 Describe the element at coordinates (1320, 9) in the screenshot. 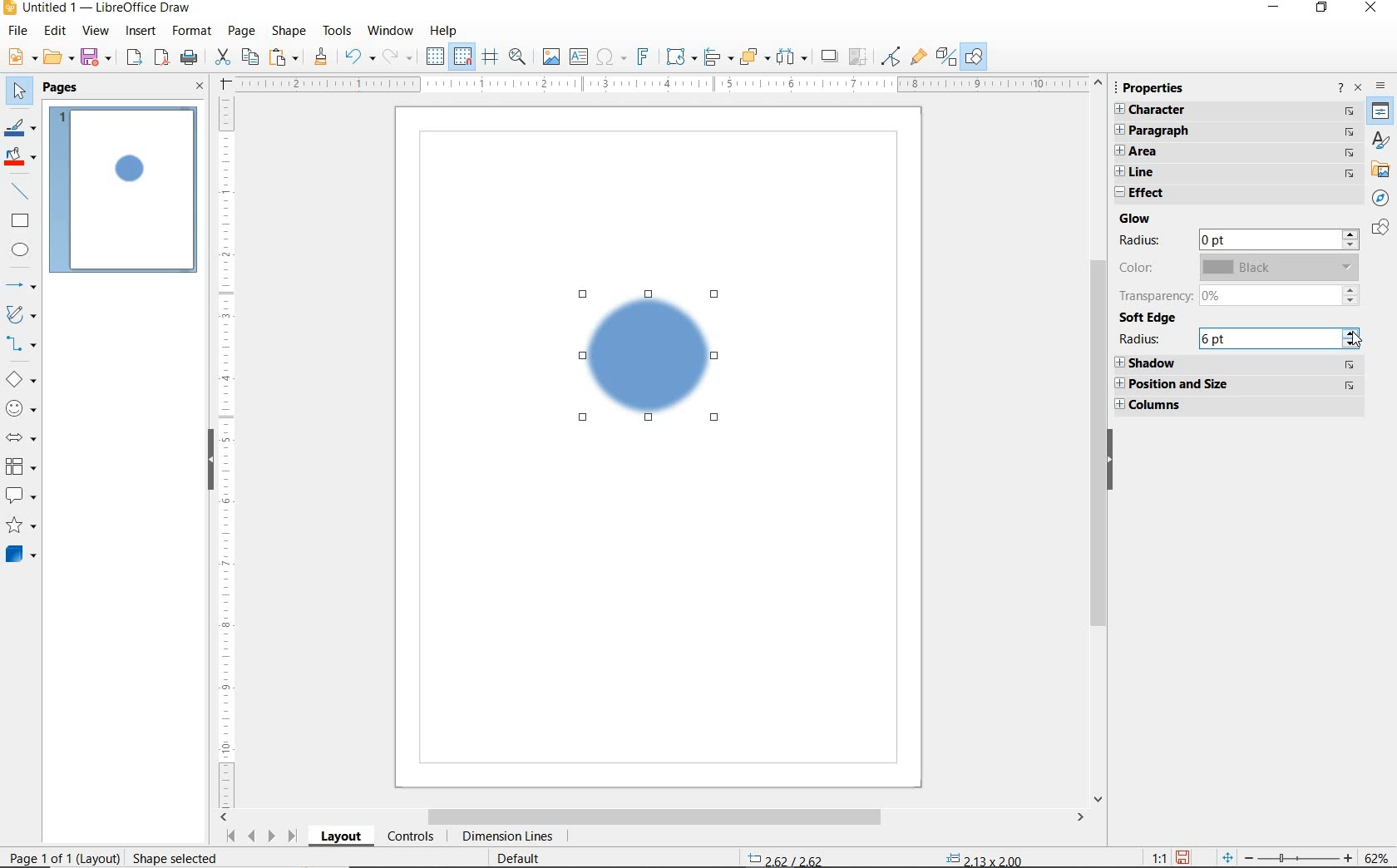

I see `RESTORE DOWN` at that location.